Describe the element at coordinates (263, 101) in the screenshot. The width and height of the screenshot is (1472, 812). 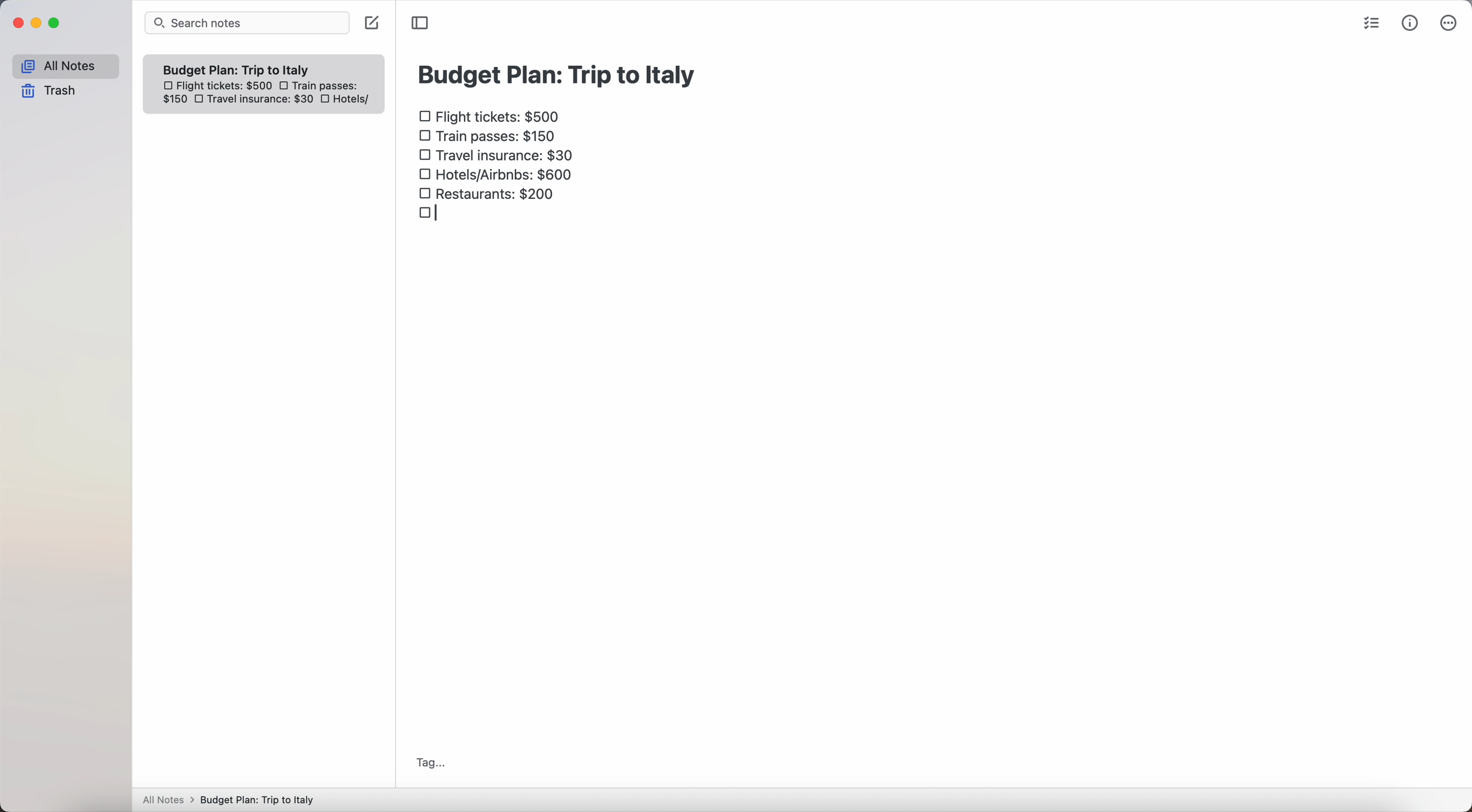
I see `travel insurance: $30` at that location.